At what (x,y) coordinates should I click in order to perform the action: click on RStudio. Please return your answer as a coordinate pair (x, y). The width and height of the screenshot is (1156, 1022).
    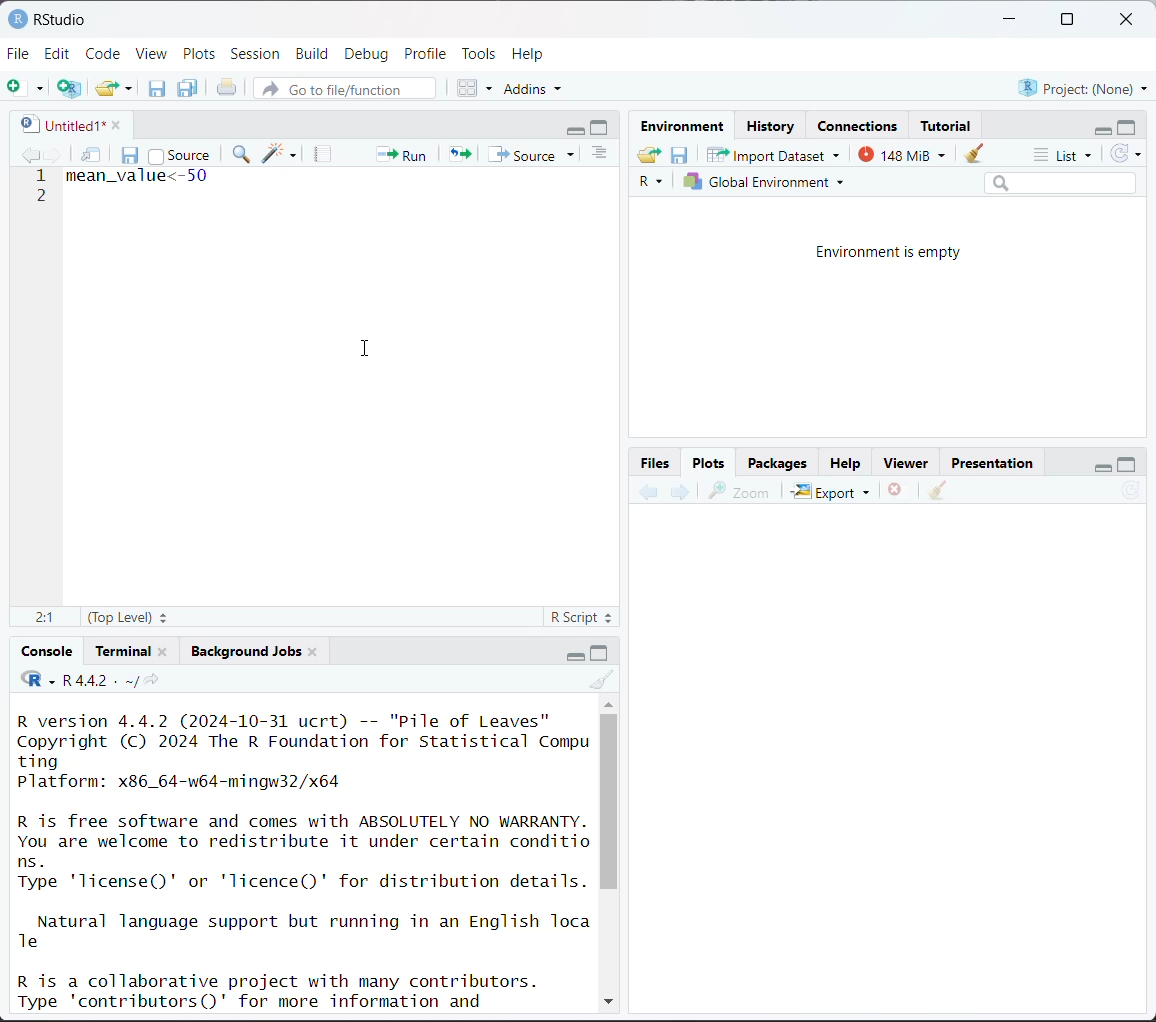
    Looking at the image, I should click on (47, 18).